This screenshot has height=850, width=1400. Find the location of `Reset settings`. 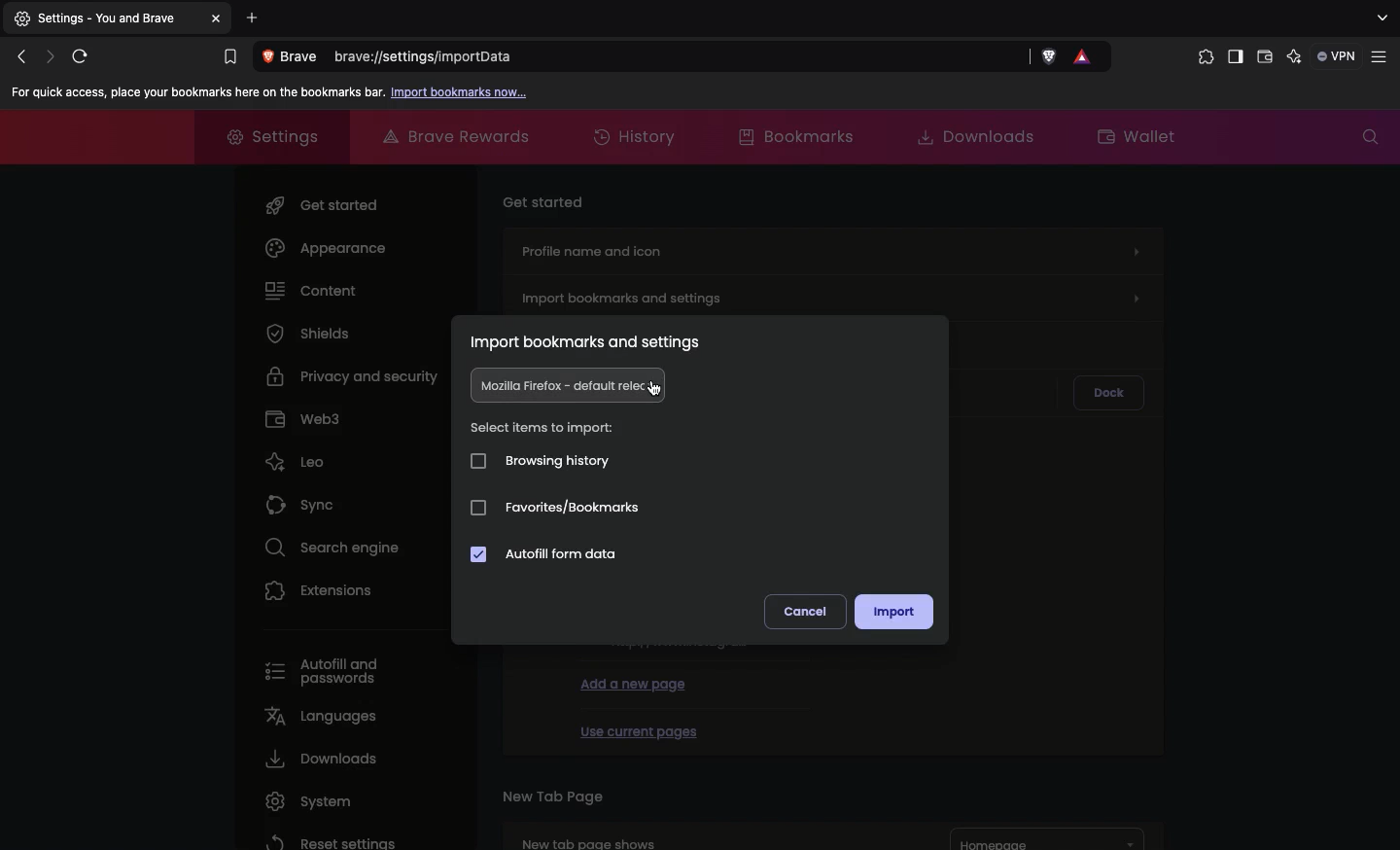

Reset settings is located at coordinates (328, 840).